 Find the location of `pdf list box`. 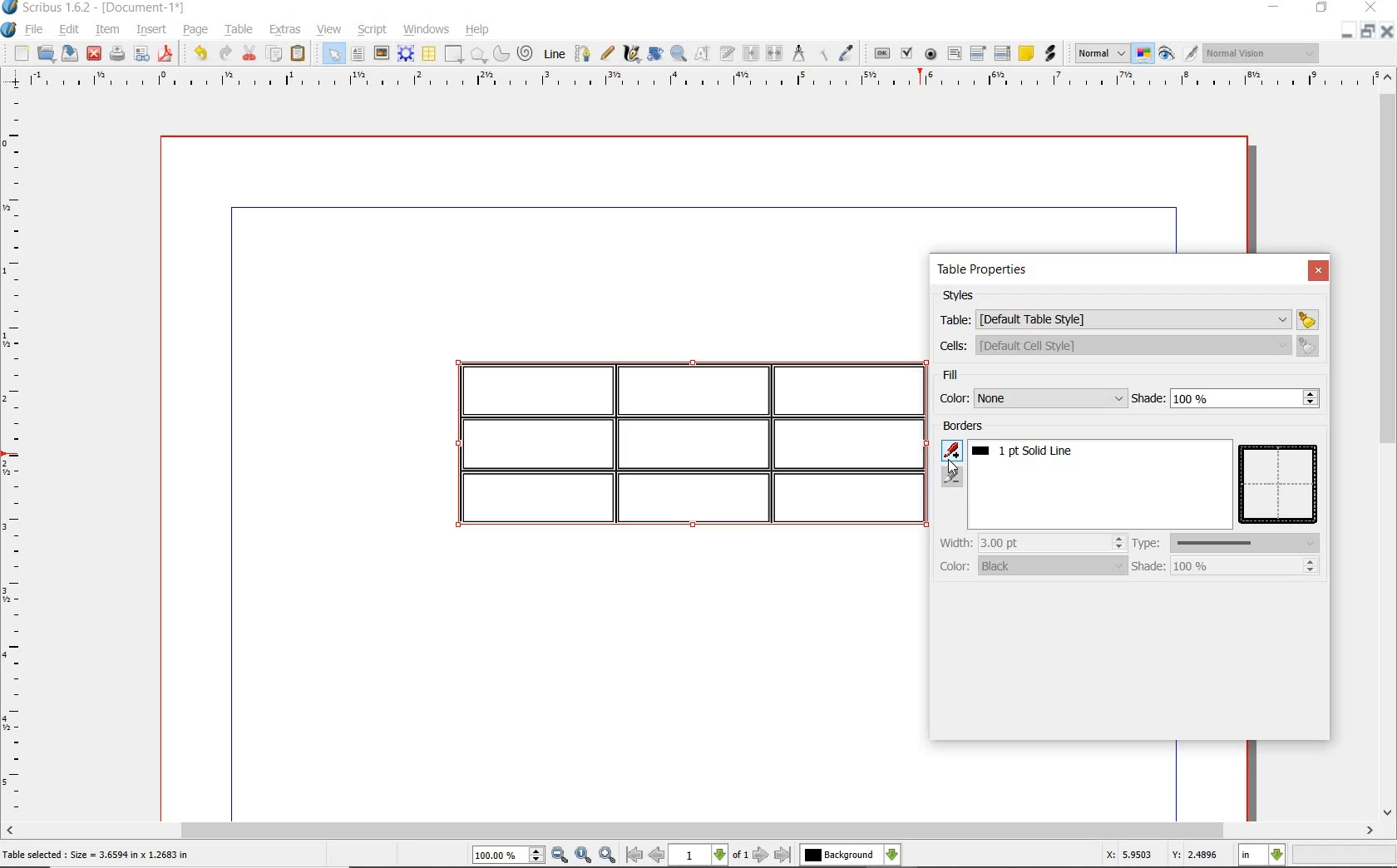

pdf list box is located at coordinates (1003, 53).